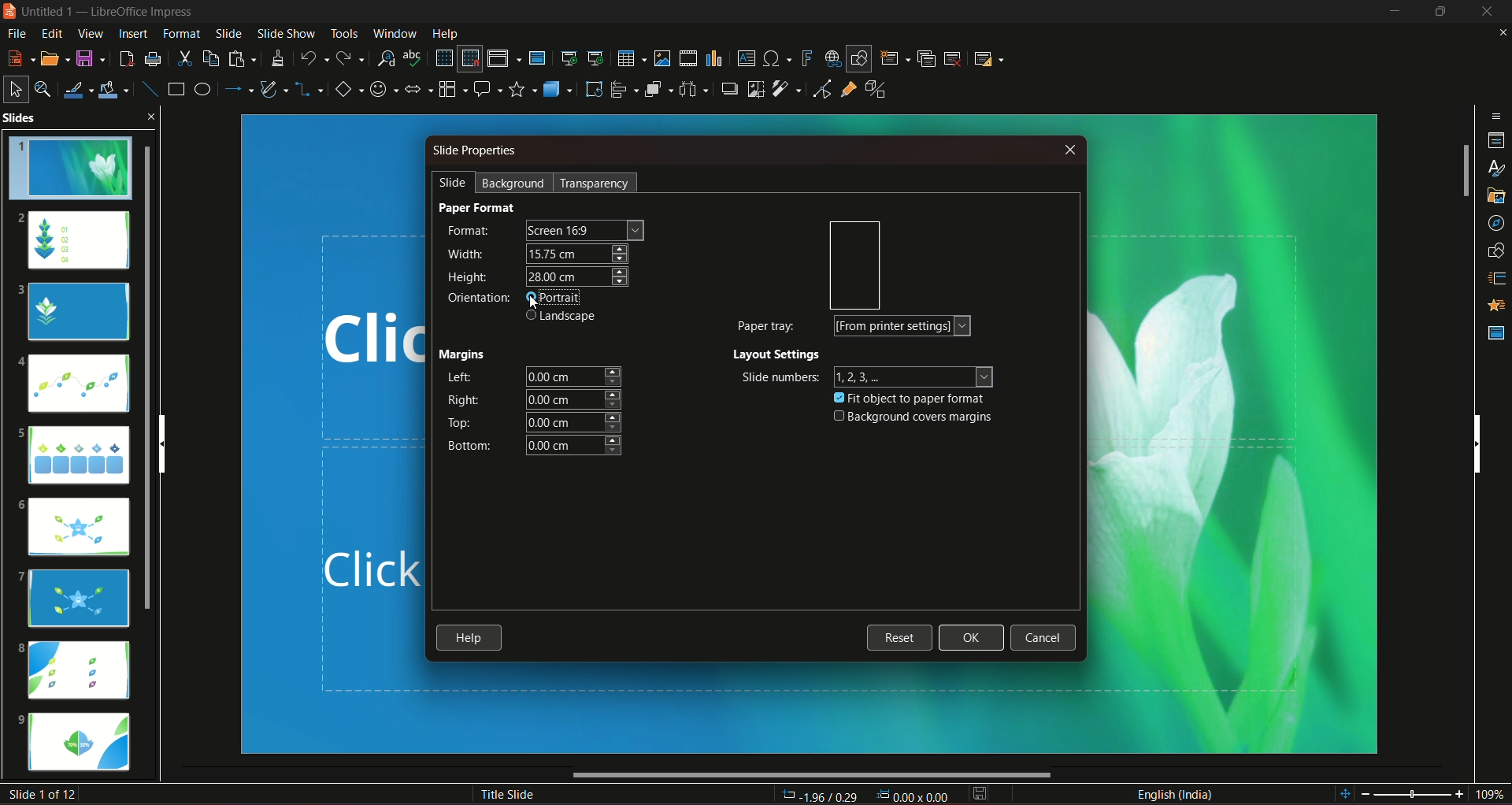  Describe the element at coordinates (899, 636) in the screenshot. I see `reset` at that location.